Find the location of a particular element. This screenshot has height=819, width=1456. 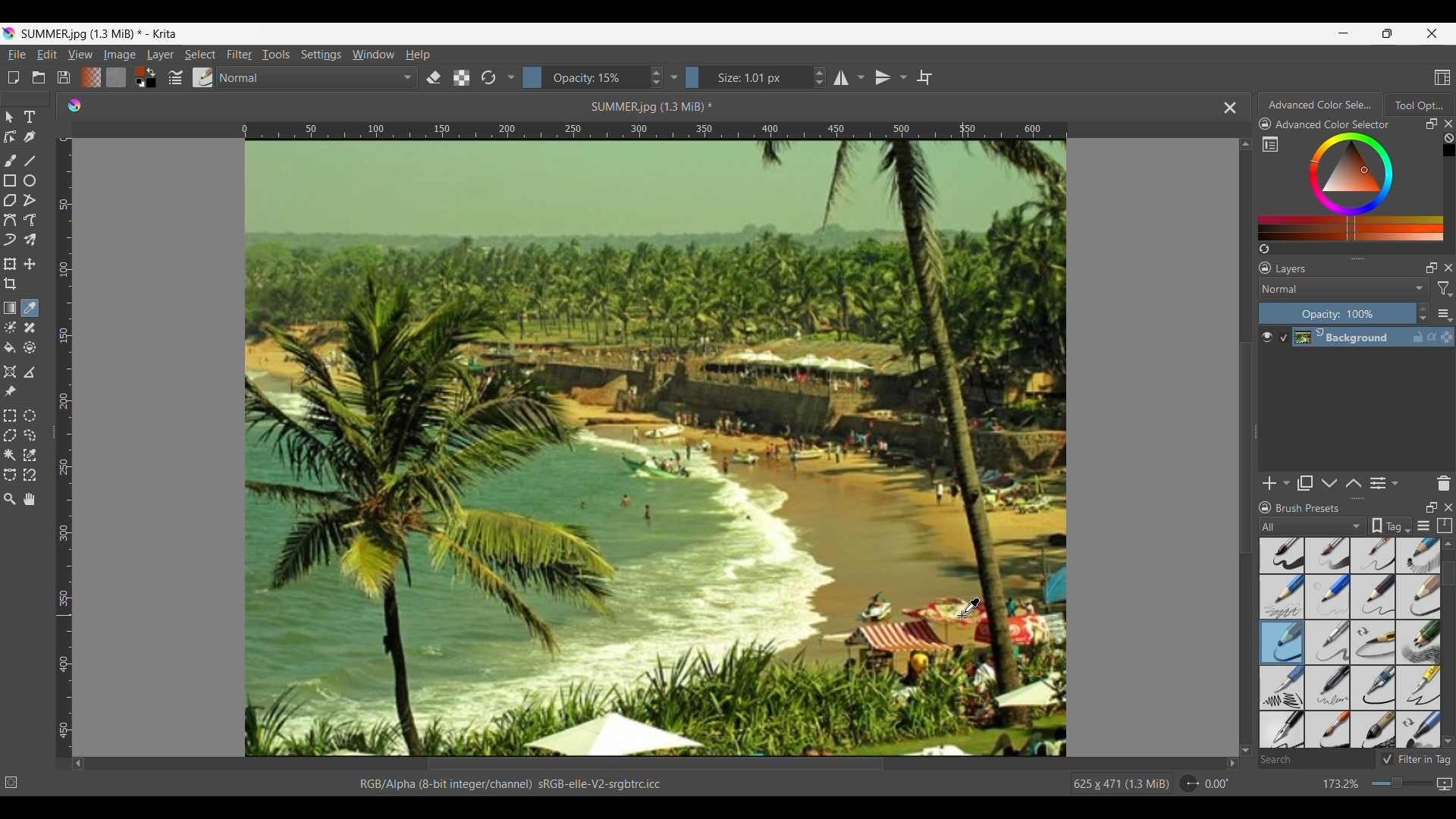

Move layer or mask down is located at coordinates (1329, 484).